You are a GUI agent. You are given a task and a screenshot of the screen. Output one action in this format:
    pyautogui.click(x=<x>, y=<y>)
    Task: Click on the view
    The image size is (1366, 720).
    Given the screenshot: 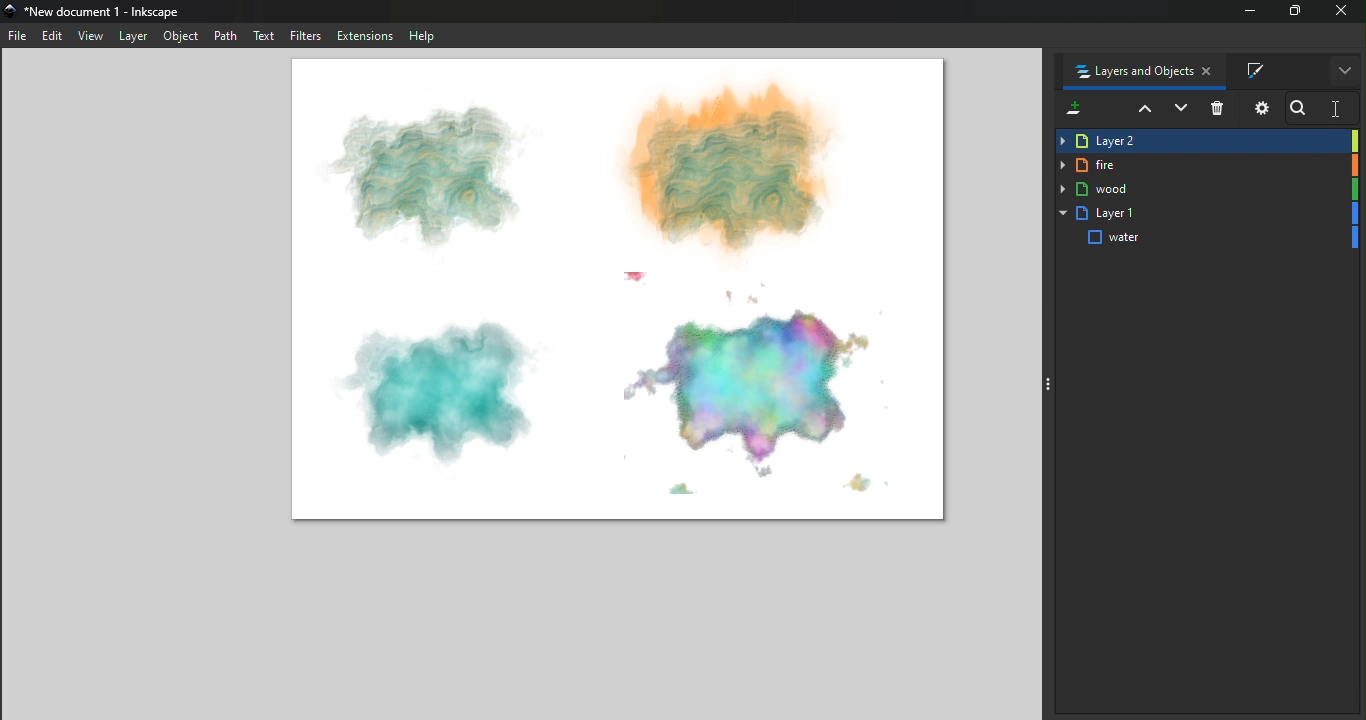 What is the action you would take?
    pyautogui.click(x=91, y=38)
    